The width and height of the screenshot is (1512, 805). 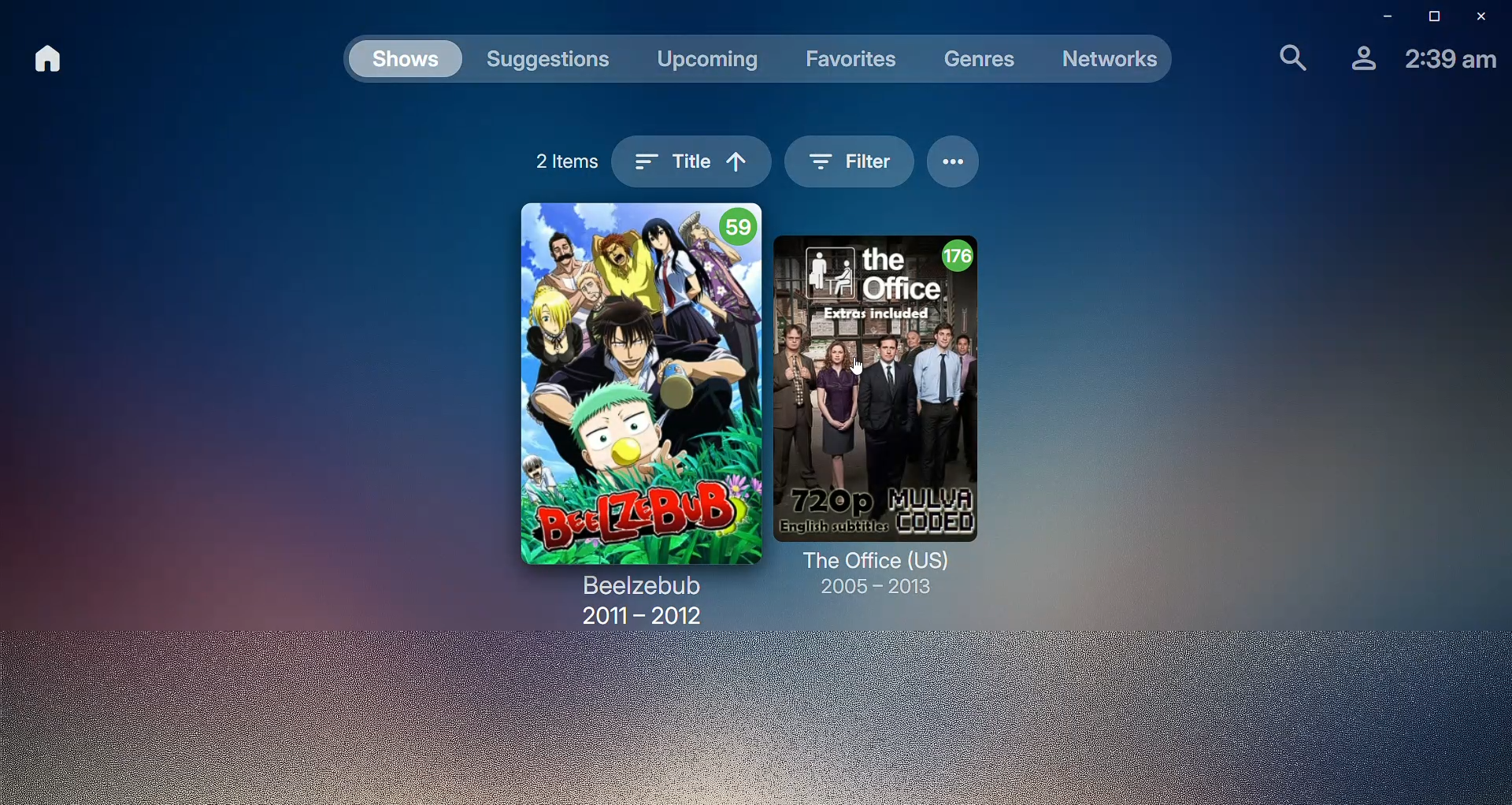 I want to click on Filter, so click(x=847, y=165).